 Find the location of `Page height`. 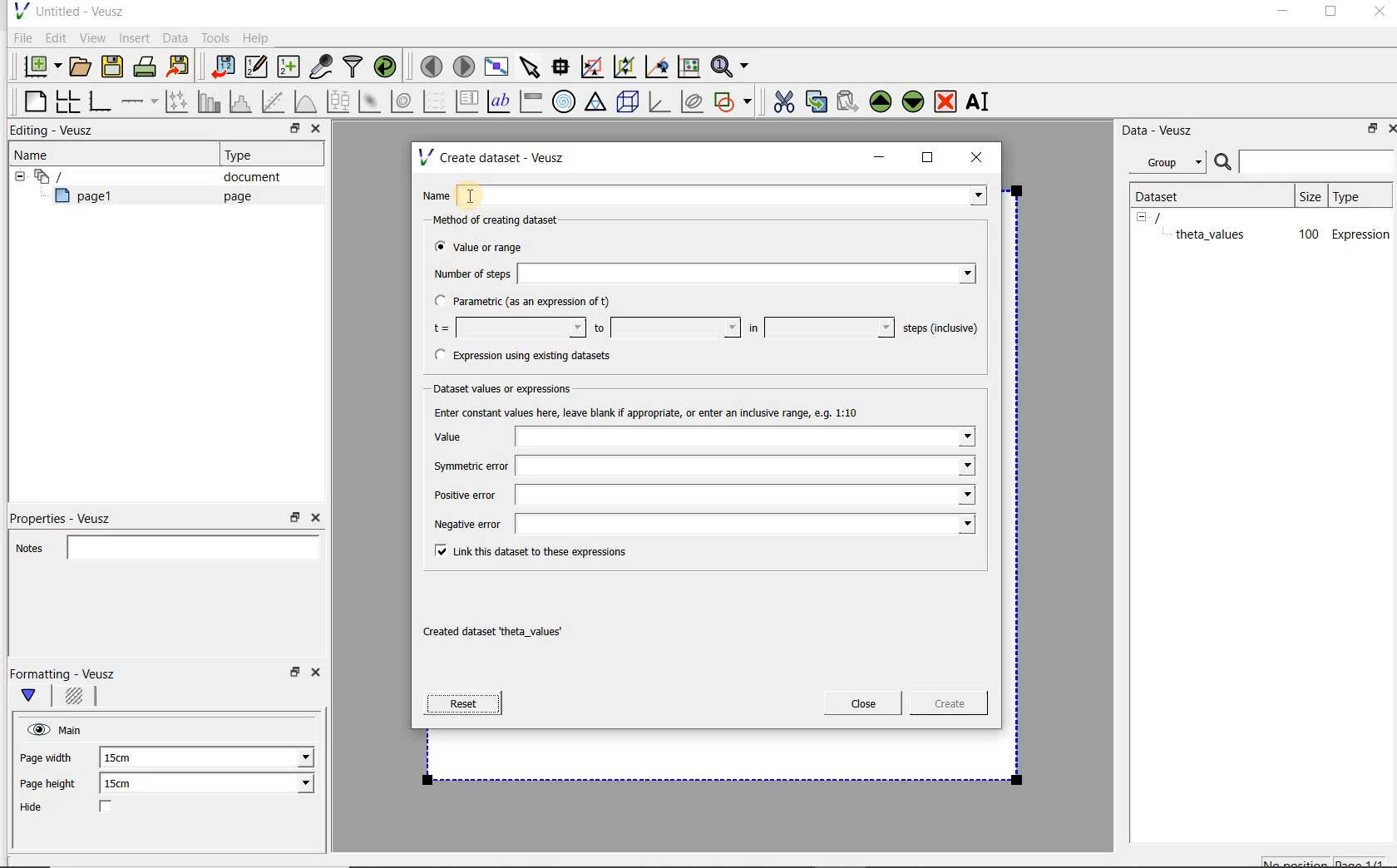

Page height is located at coordinates (53, 786).